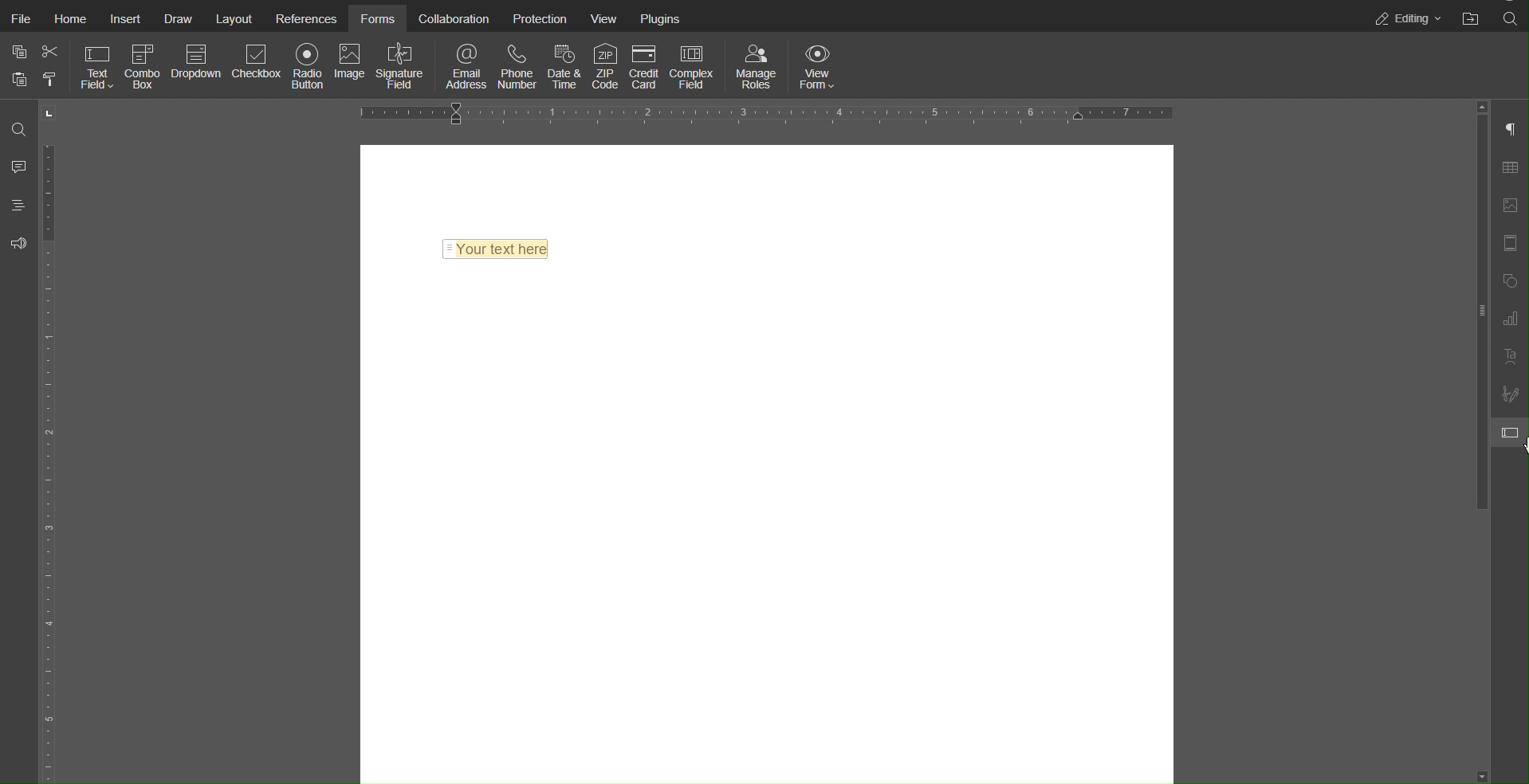 Image resolution: width=1529 pixels, height=784 pixels. What do you see at coordinates (20, 20) in the screenshot?
I see `File` at bounding box center [20, 20].